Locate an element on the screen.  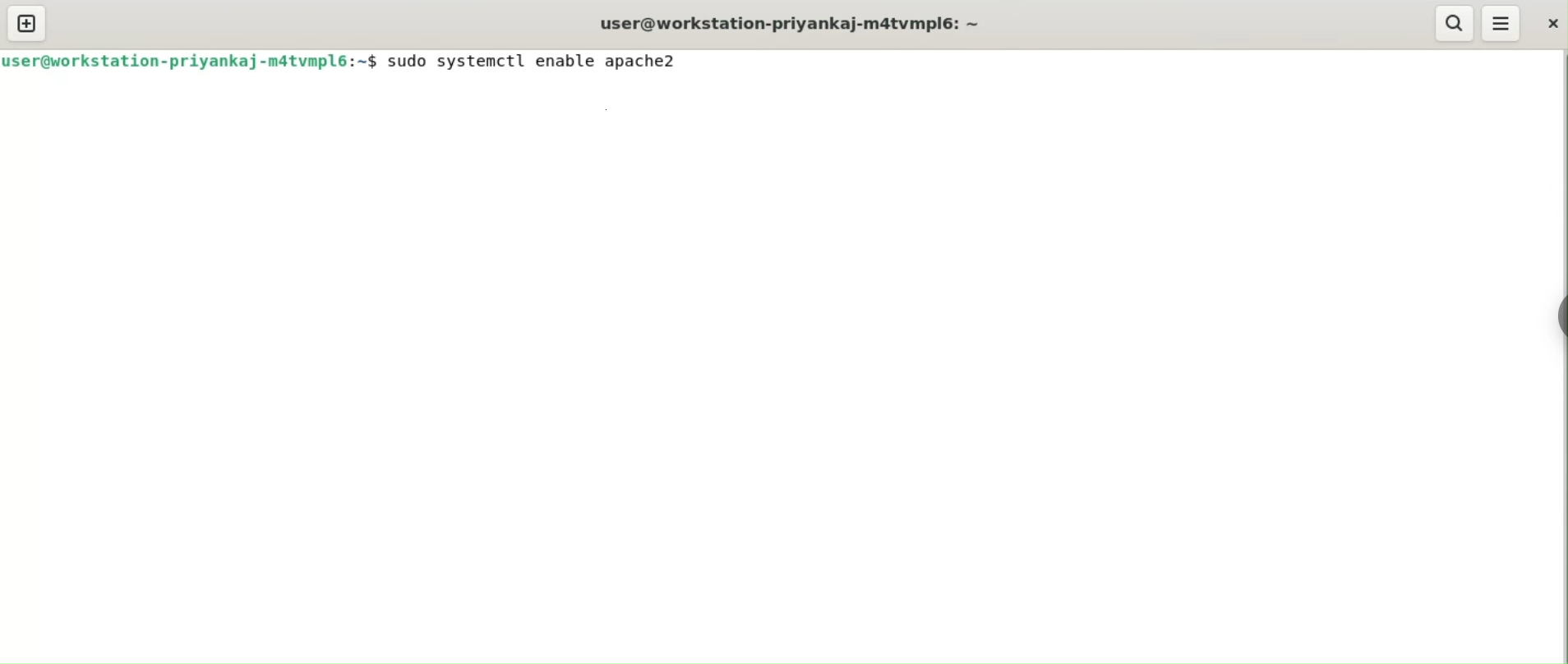
user@workstation-priyankaj-m4tvmpl6:~ is located at coordinates (786, 23).